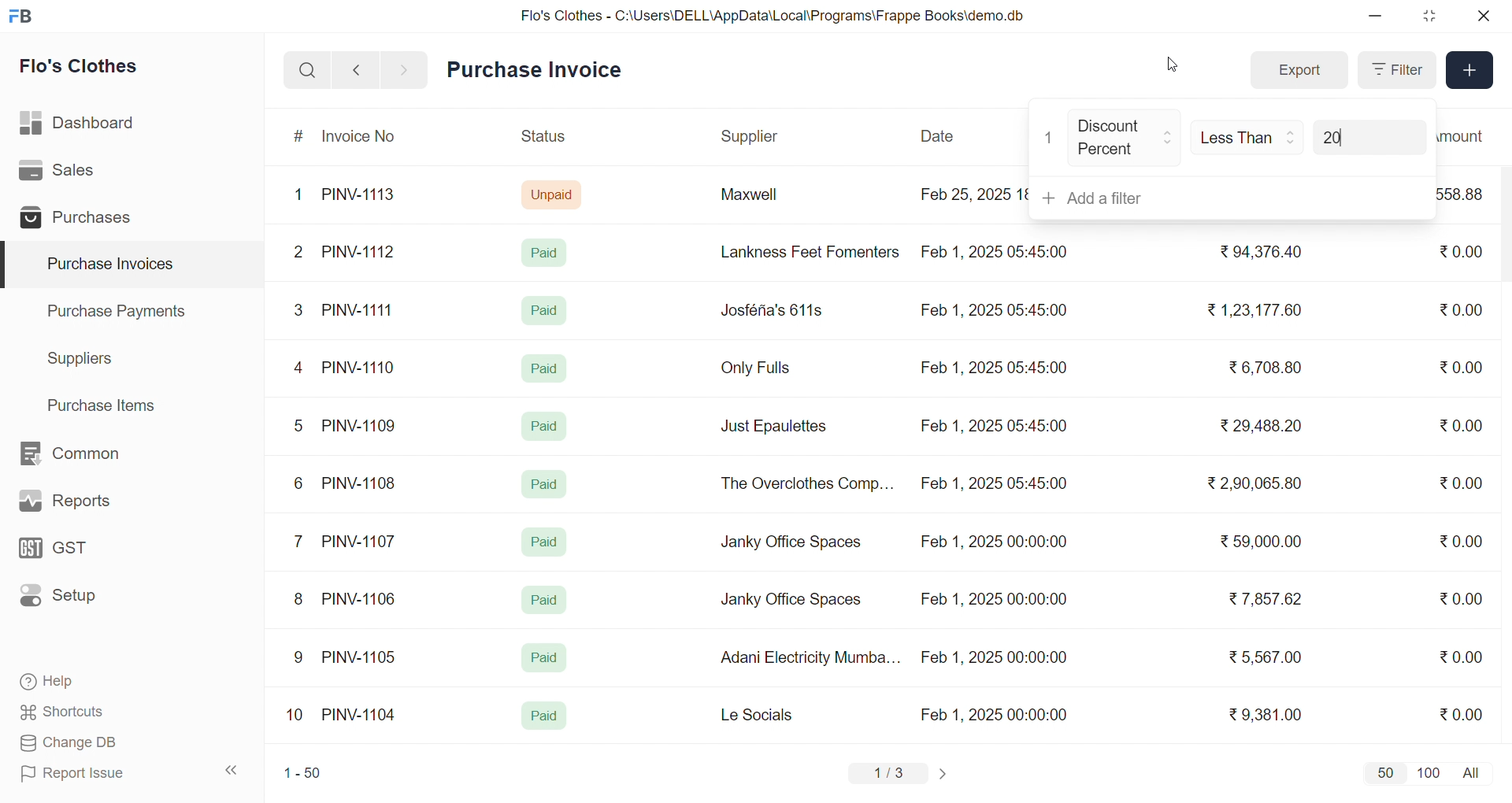 The image size is (1512, 803). What do you see at coordinates (107, 403) in the screenshot?
I see `Purchase Items` at bounding box center [107, 403].